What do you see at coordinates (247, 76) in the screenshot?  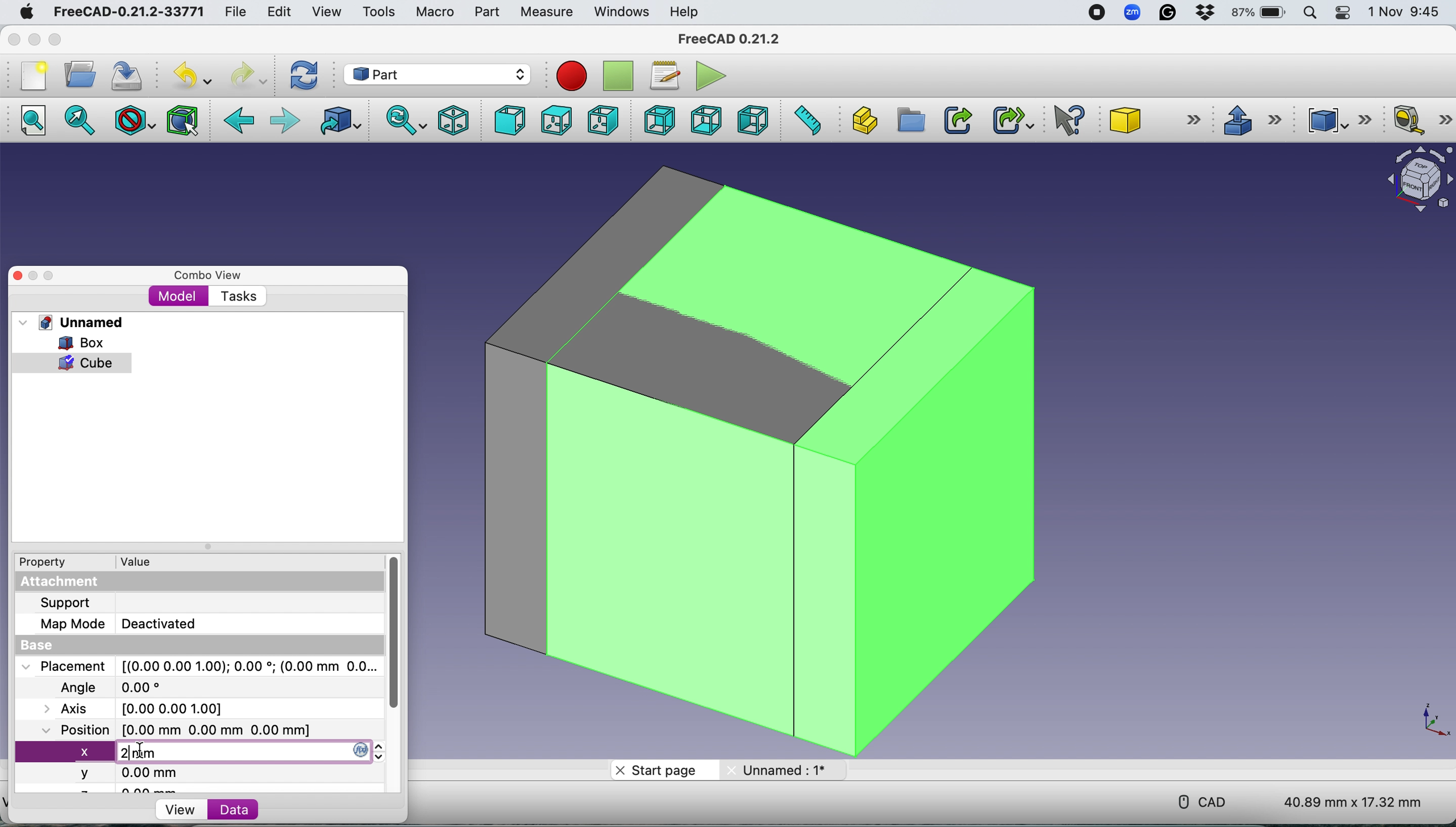 I see `Redo` at bounding box center [247, 76].